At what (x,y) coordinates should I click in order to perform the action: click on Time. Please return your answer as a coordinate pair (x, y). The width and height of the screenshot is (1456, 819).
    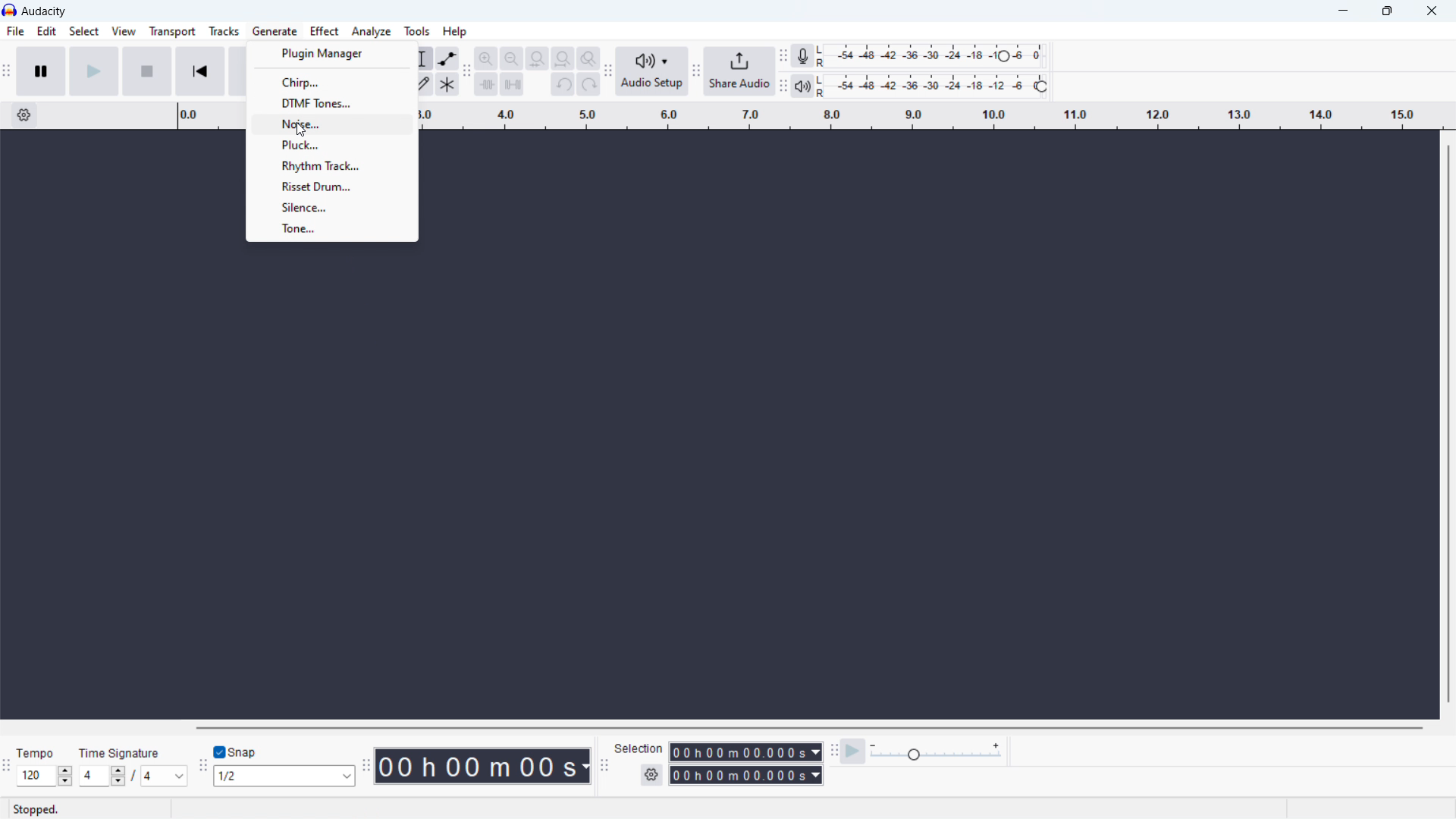
    Looking at the image, I should click on (37, 752).